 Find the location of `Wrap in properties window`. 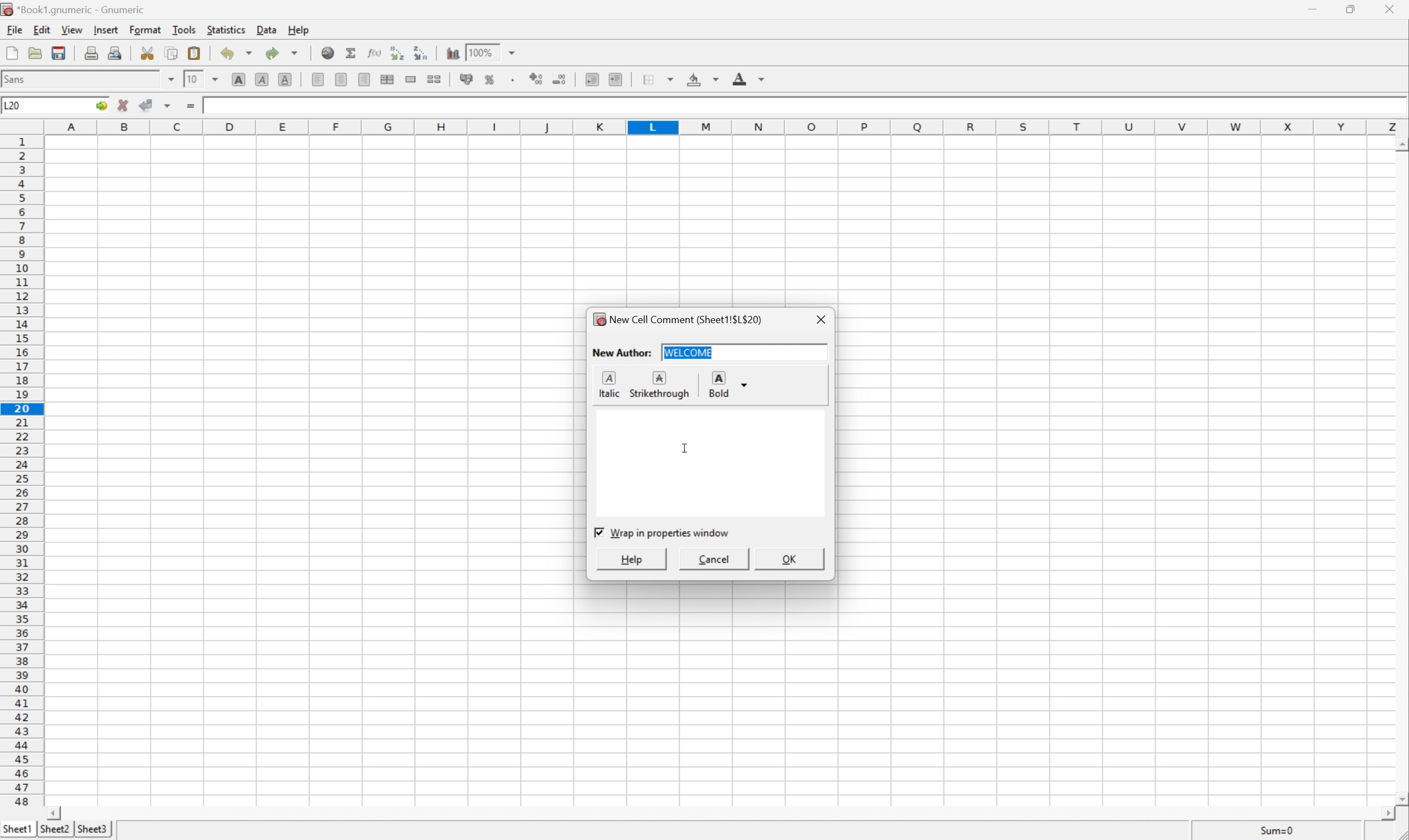

Wrap in properties window is located at coordinates (671, 532).